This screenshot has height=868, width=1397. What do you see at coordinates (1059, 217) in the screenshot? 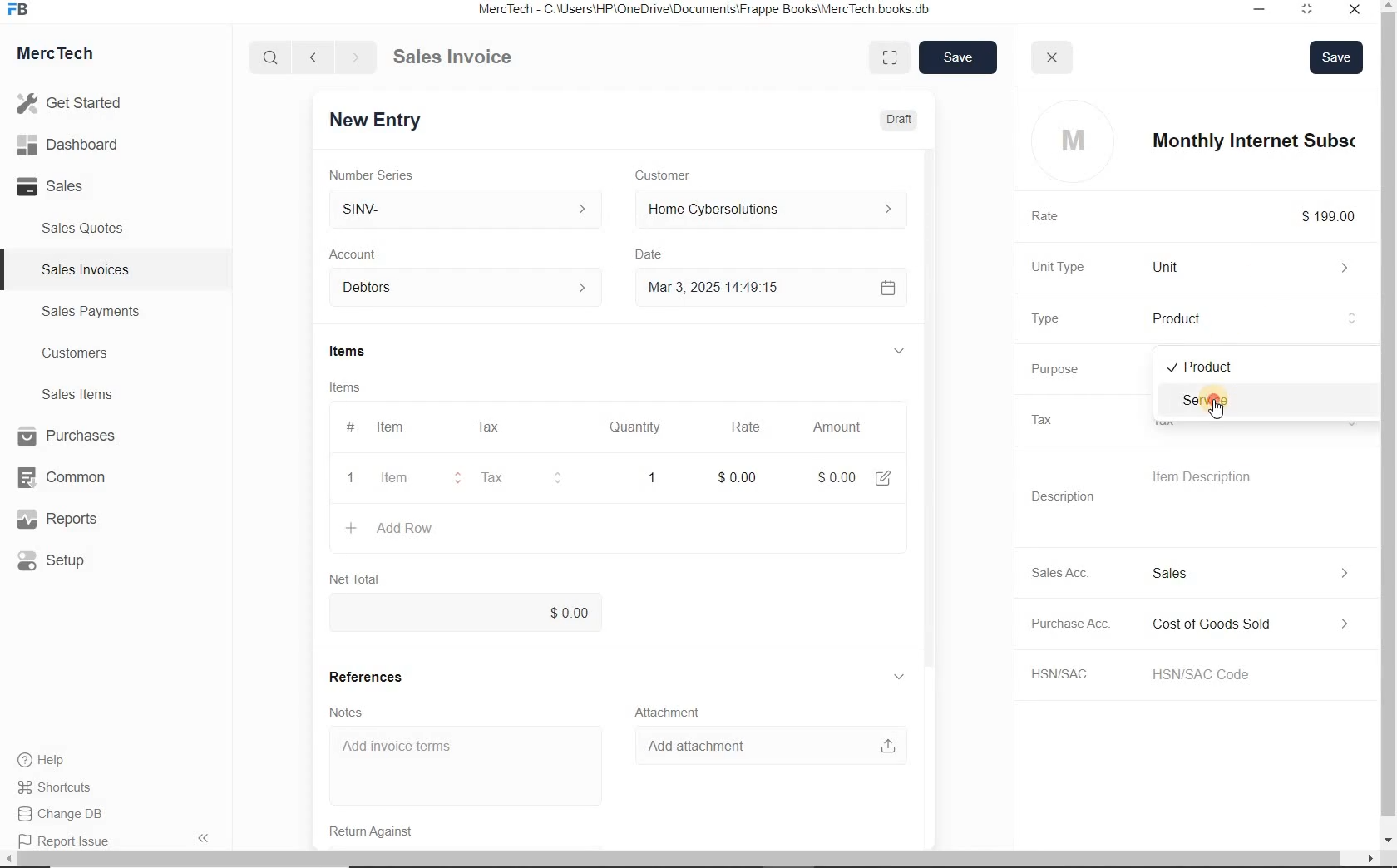
I see `Rate` at bounding box center [1059, 217].